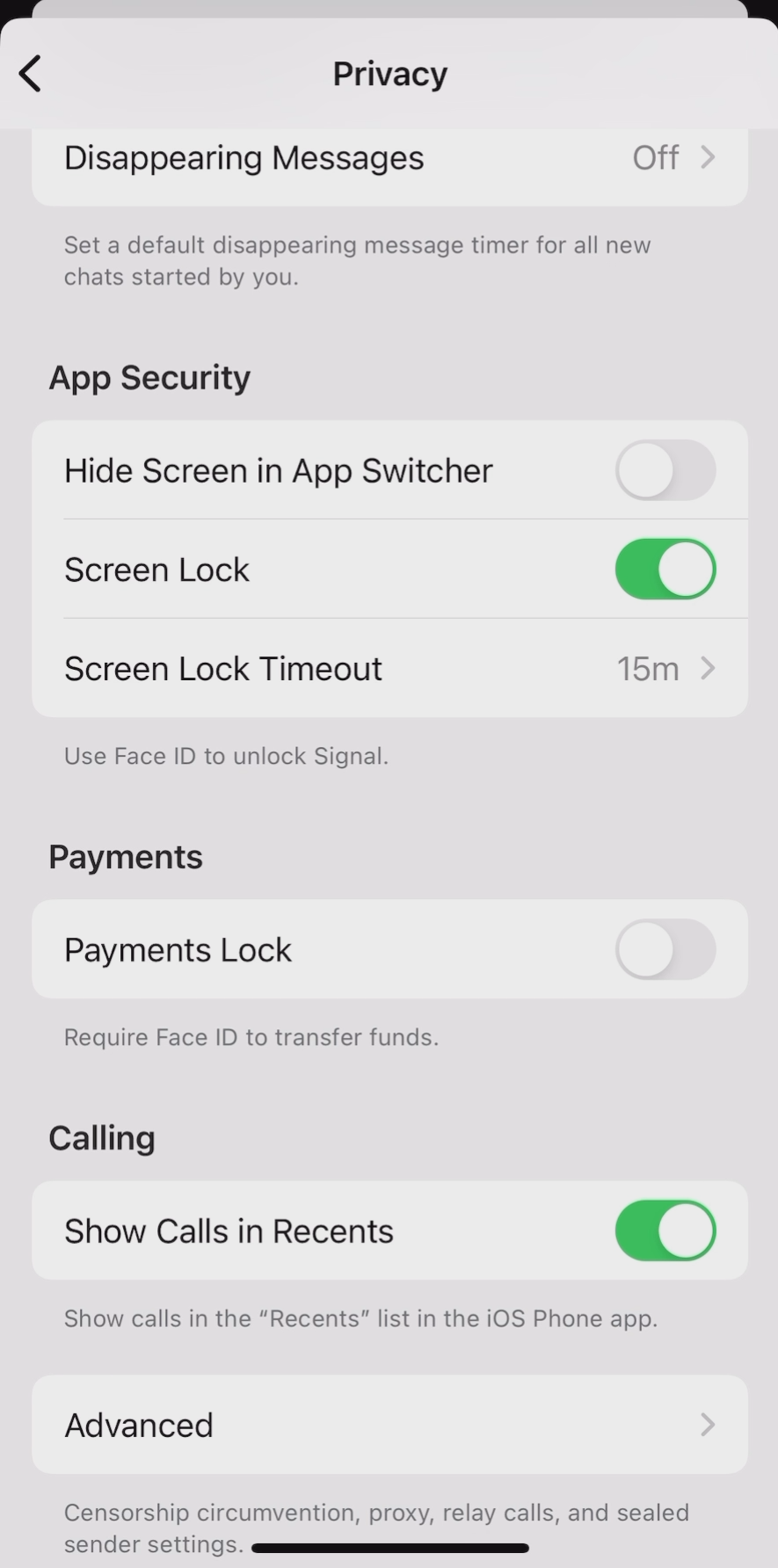  What do you see at coordinates (367, 1046) in the screenshot?
I see `Require Face ID to transfer funds.` at bounding box center [367, 1046].